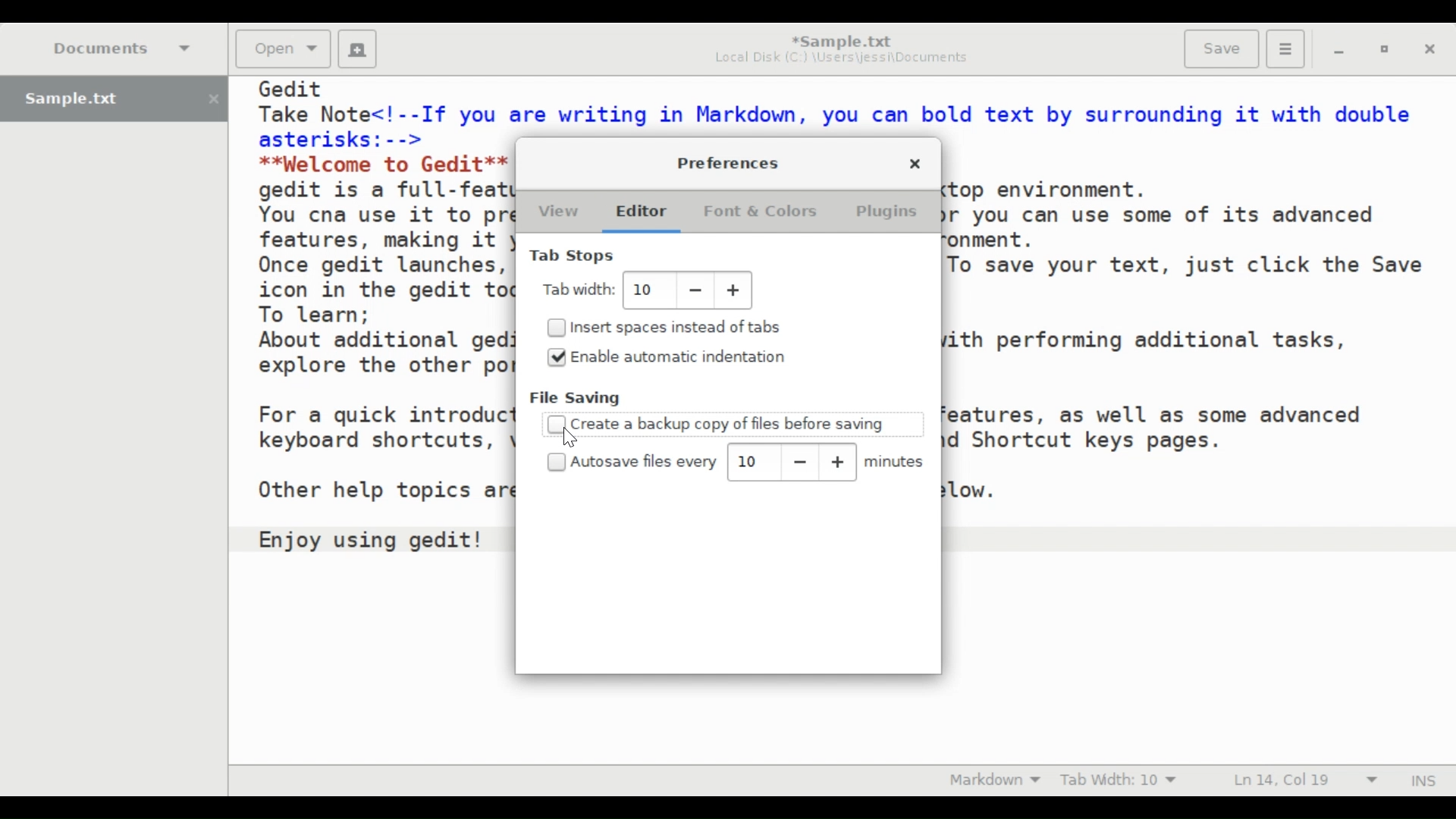 This screenshot has height=819, width=1456. What do you see at coordinates (1285, 47) in the screenshot?
I see `Application menu` at bounding box center [1285, 47].